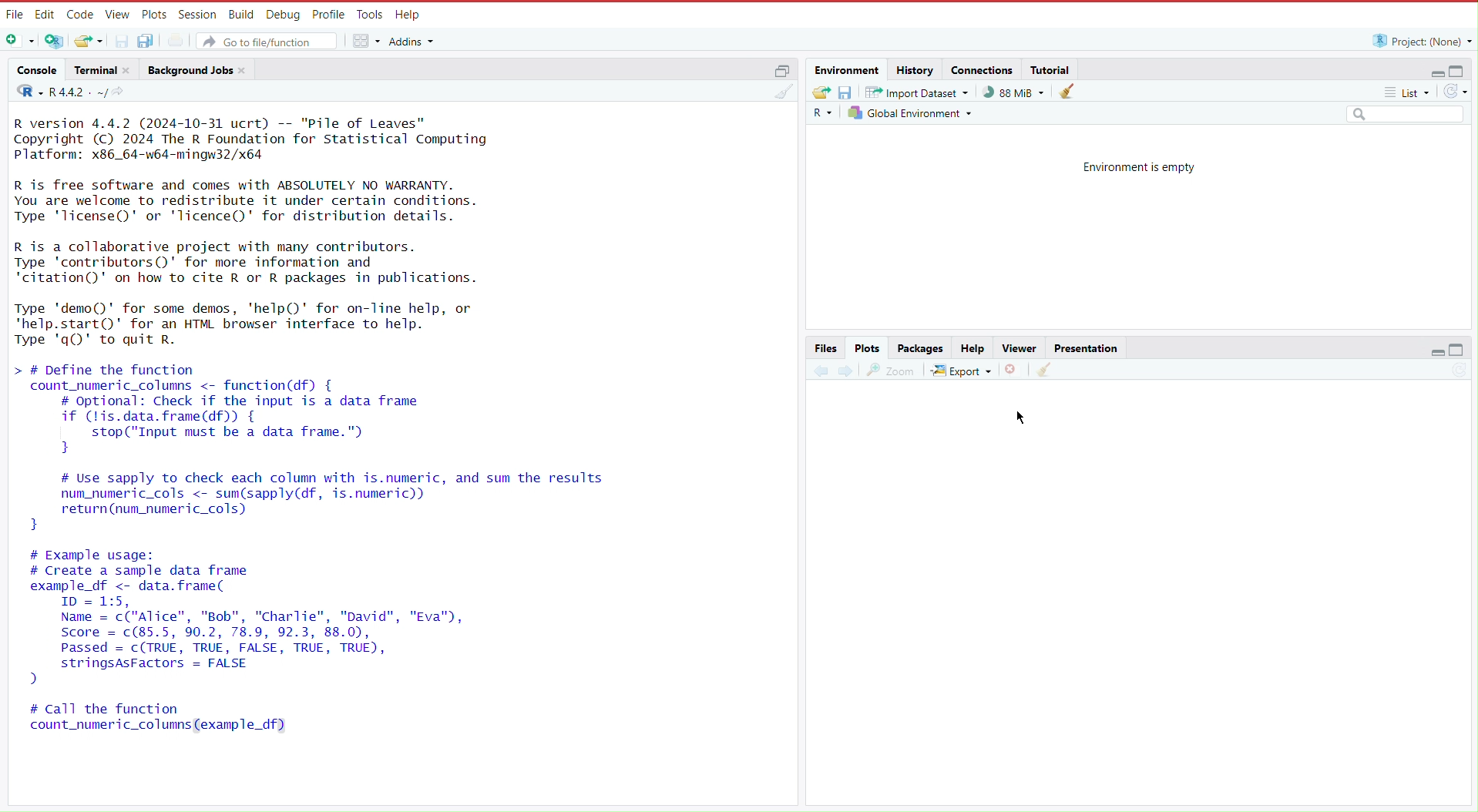  What do you see at coordinates (195, 14) in the screenshot?
I see `Session` at bounding box center [195, 14].